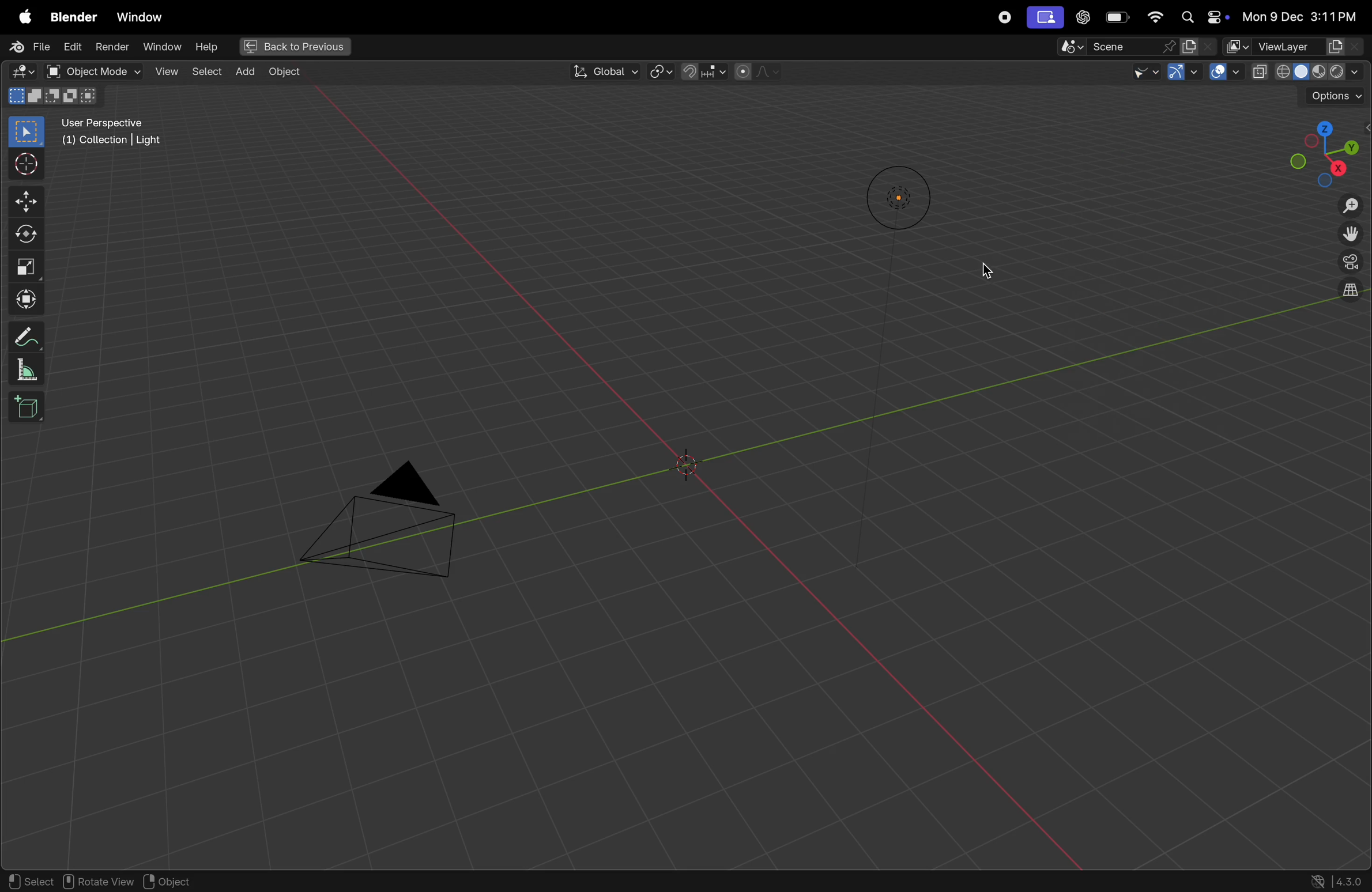 This screenshot has width=1372, height=892. I want to click on date and time, so click(1299, 16).